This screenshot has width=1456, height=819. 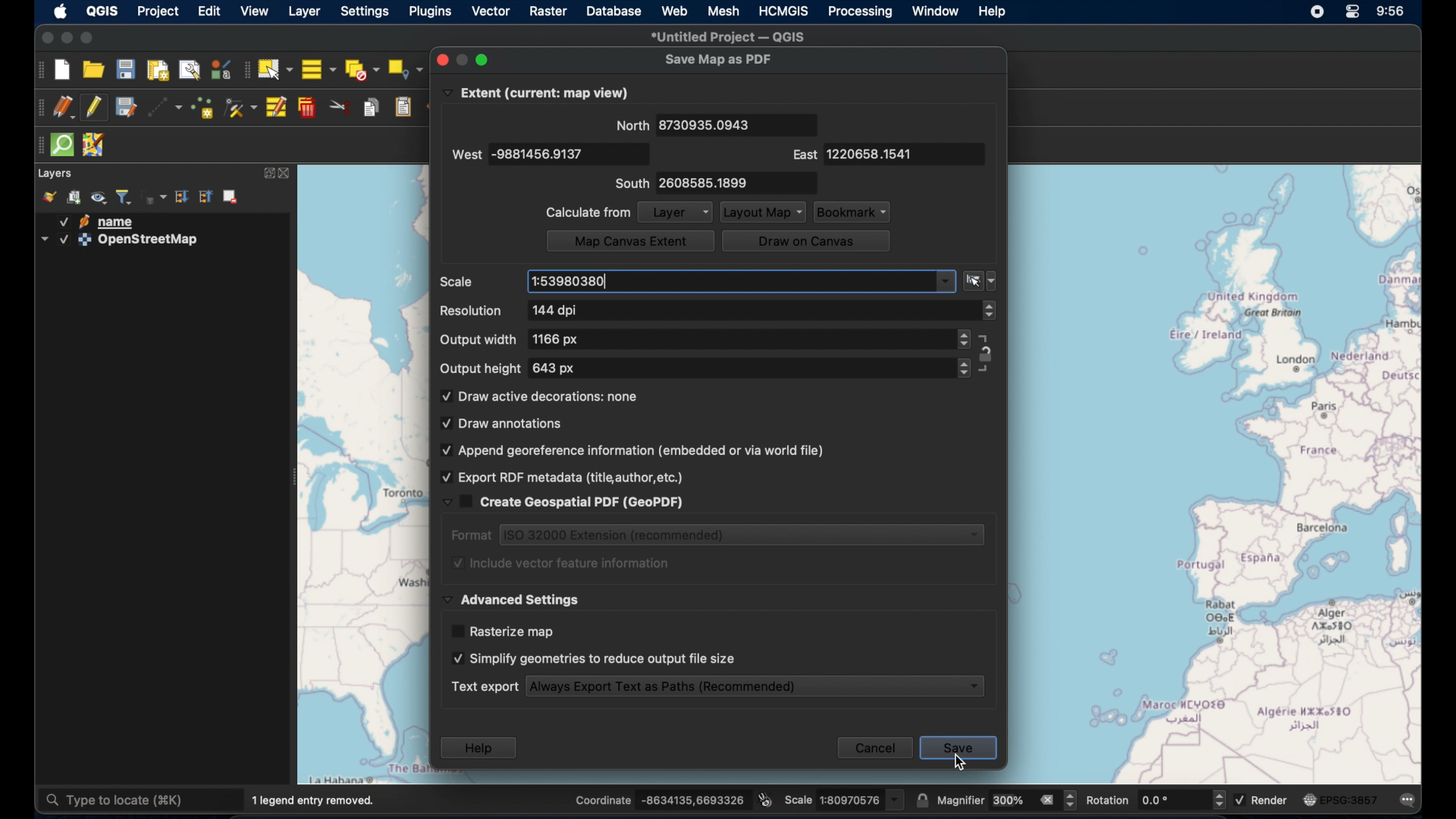 I want to click on 1220658.1541, so click(x=871, y=153).